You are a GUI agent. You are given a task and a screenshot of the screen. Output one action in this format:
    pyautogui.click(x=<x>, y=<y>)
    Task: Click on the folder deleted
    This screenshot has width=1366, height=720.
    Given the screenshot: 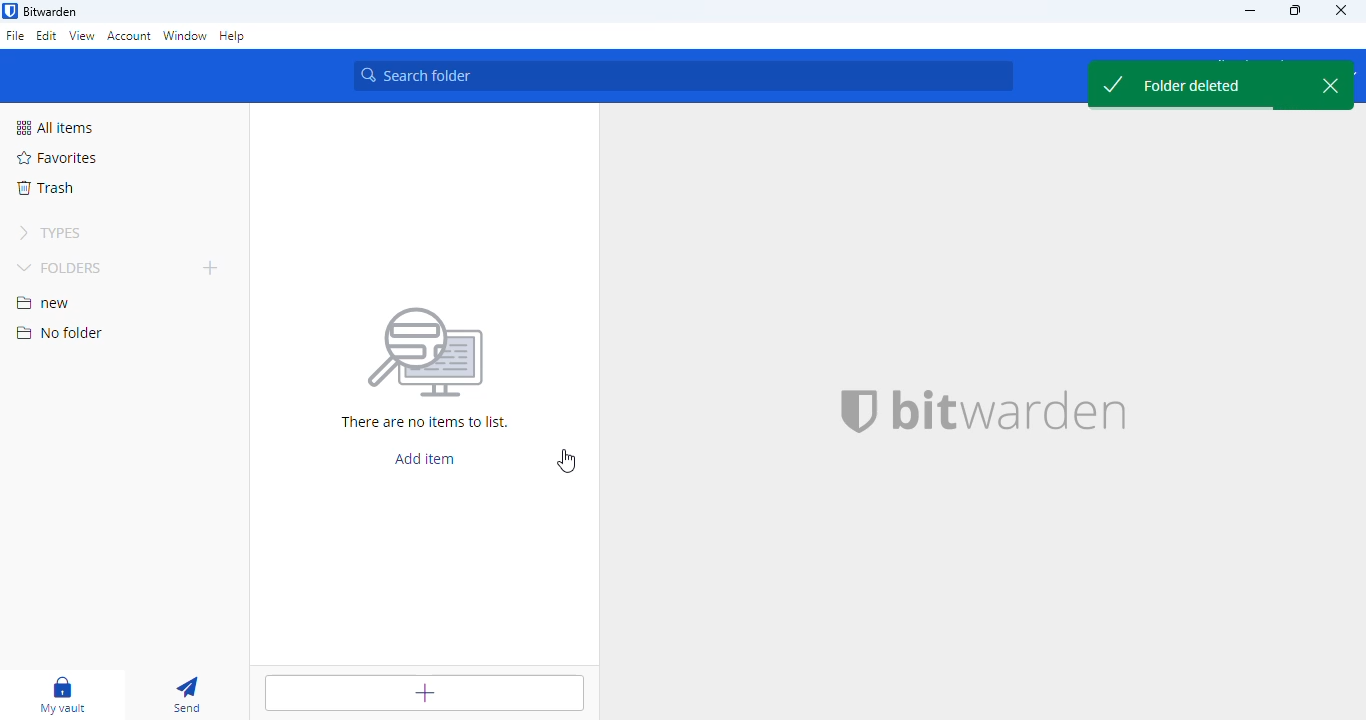 What is the action you would take?
    pyautogui.click(x=1221, y=86)
    